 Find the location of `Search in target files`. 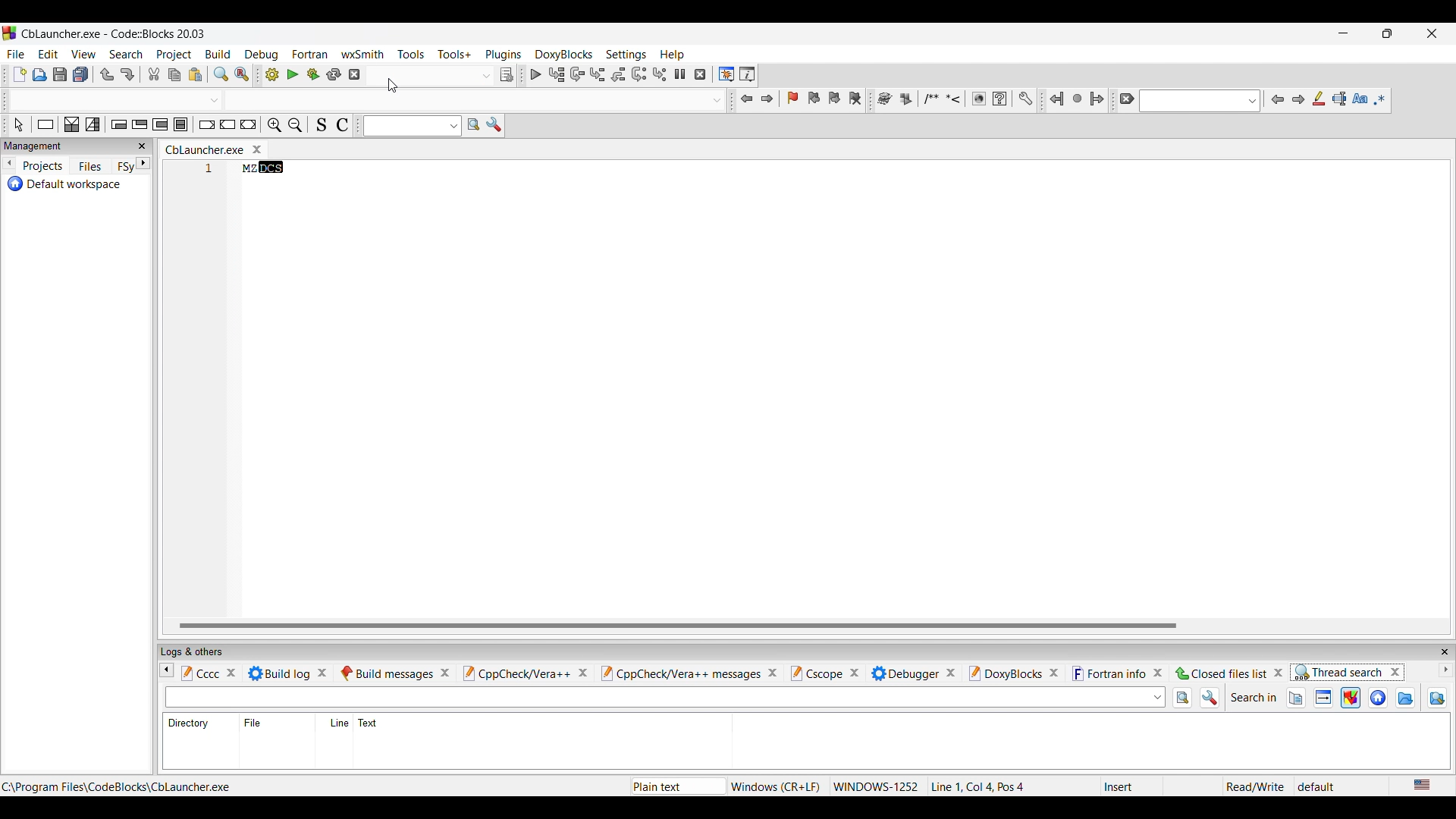

Search in target files is located at coordinates (1324, 698).